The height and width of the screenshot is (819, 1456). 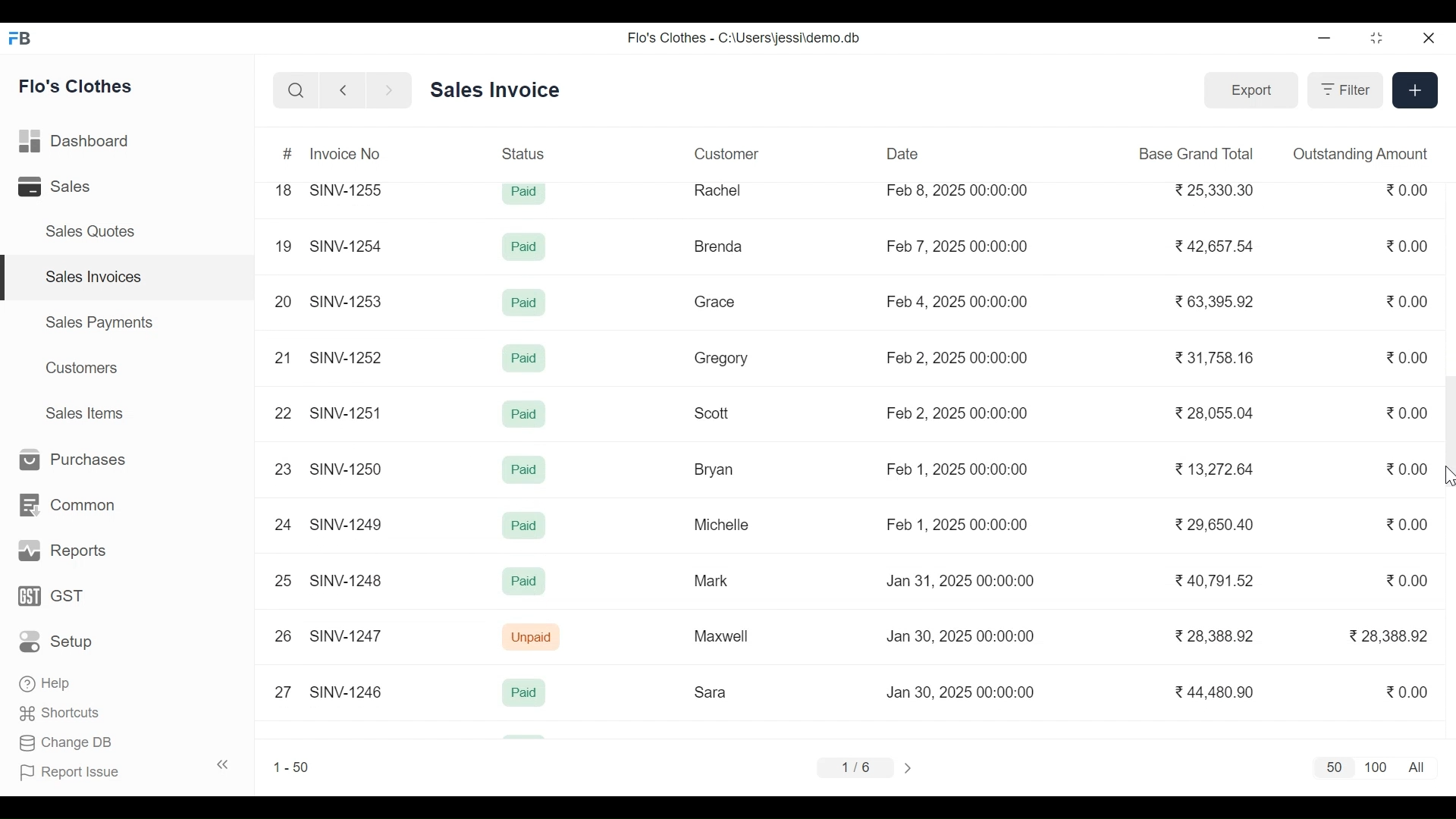 I want to click on Go Back, so click(x=343, y=91).